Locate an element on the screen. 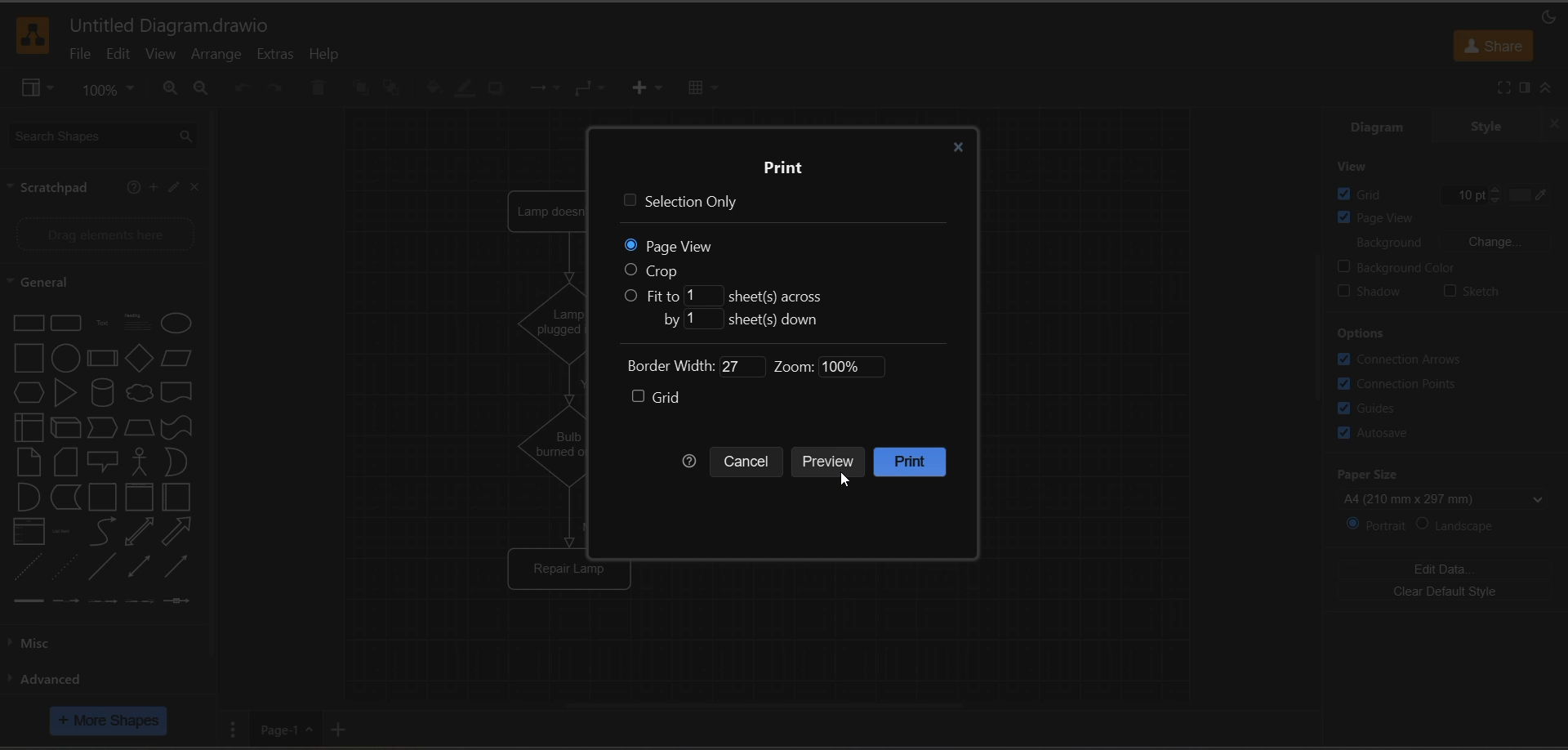 Image resolution: width=1568 pixels, height=750 pixels. vertical scroll bar is located at coordinates (1319, 324).